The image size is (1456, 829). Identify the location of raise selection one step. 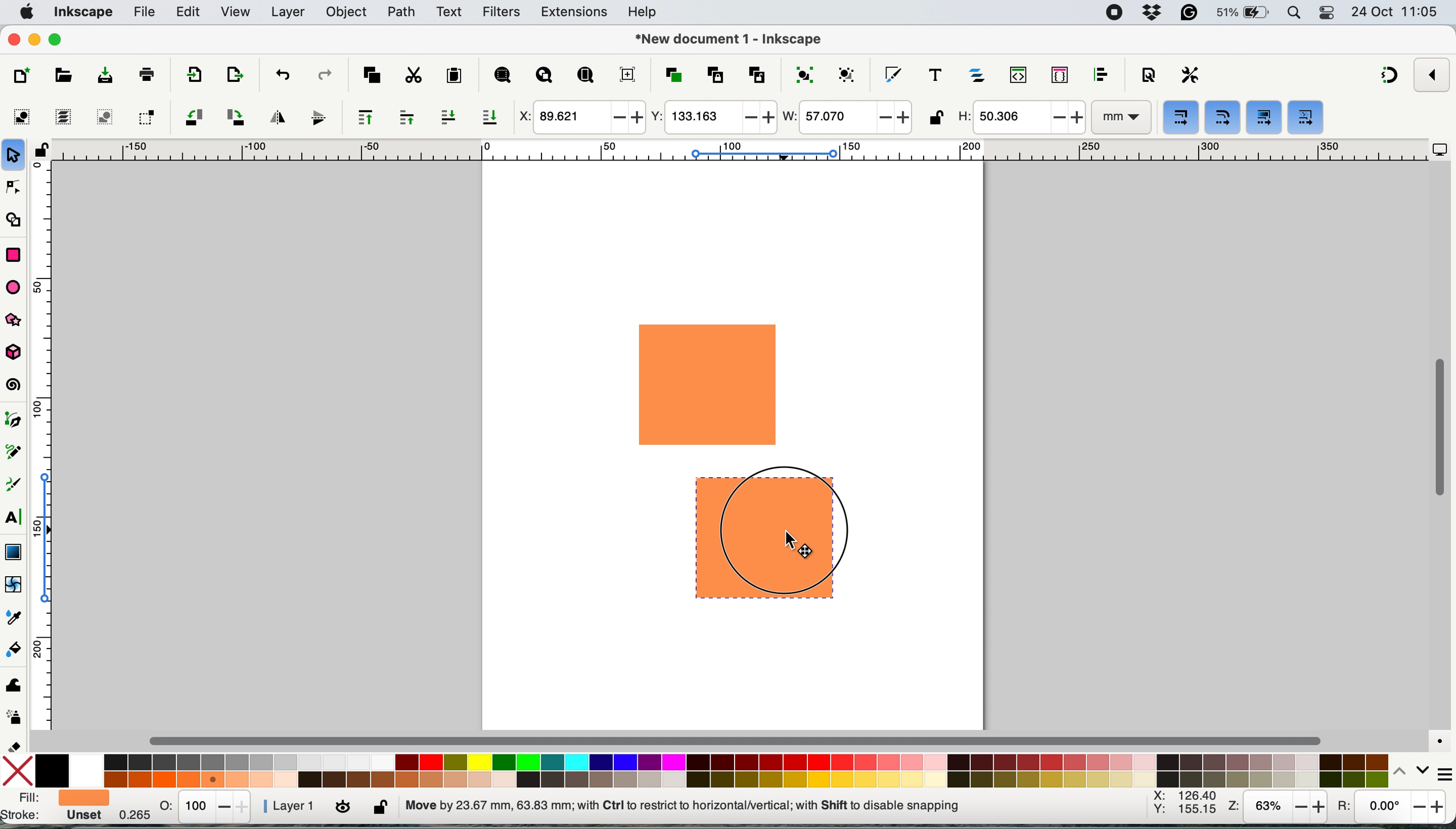
(406, 118).